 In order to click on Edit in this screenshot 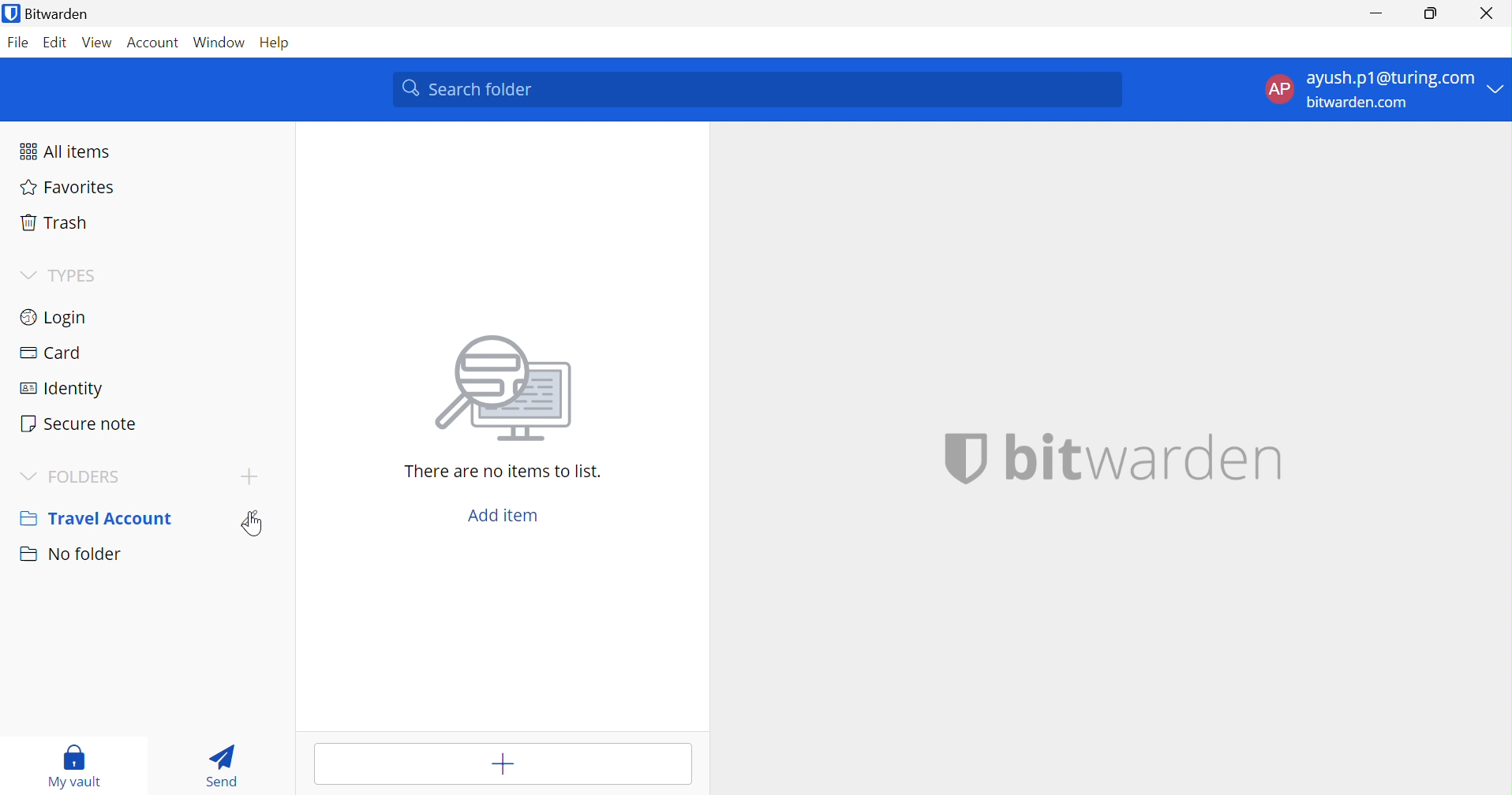, I will do `click(56, 44)`.